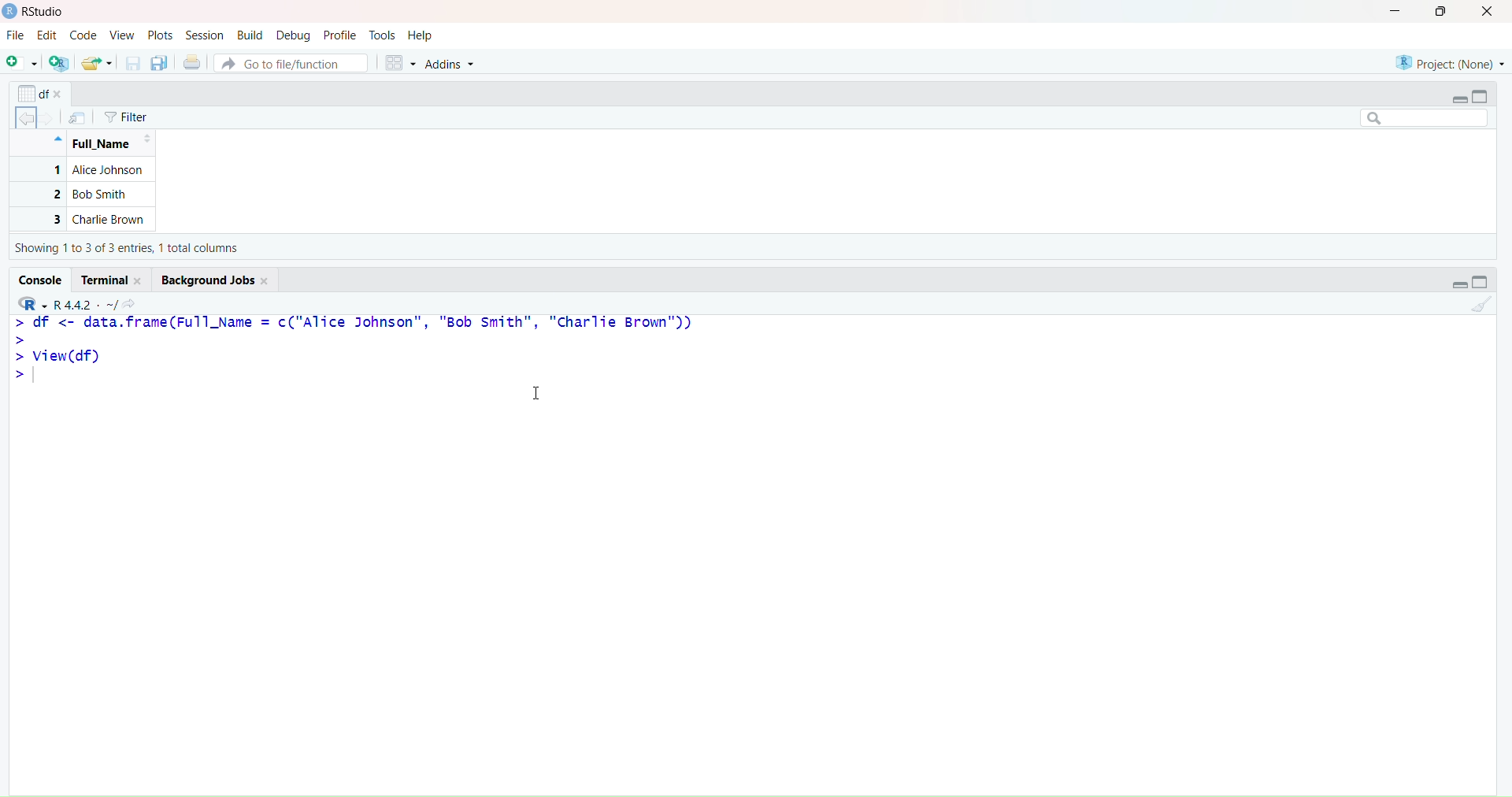  What do you see at coordinates (122, 35) in the screenshot?
I see `View` at bounding box center [122, 35].